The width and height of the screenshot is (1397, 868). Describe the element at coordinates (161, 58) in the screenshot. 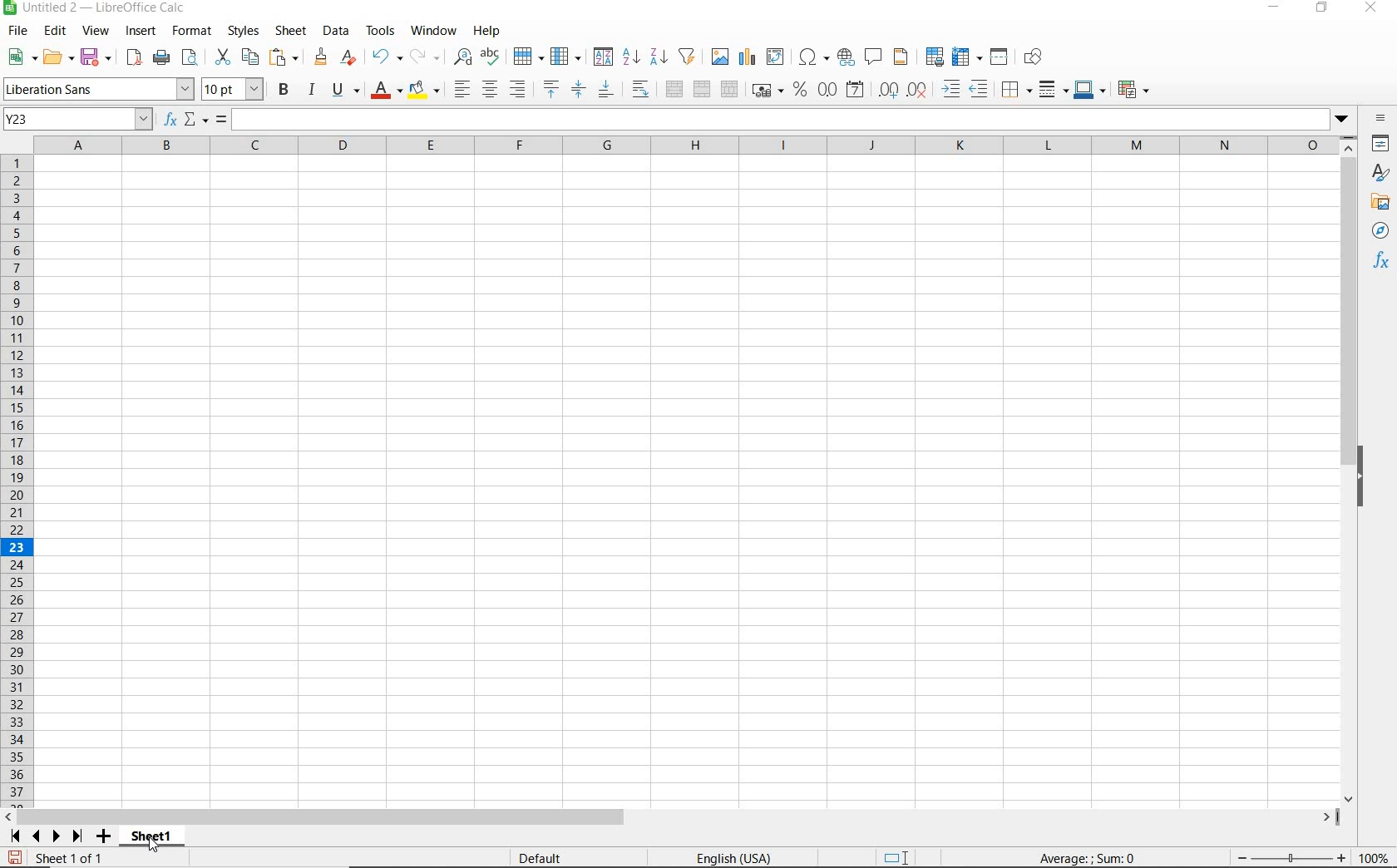

I see `PRINT` at that location.